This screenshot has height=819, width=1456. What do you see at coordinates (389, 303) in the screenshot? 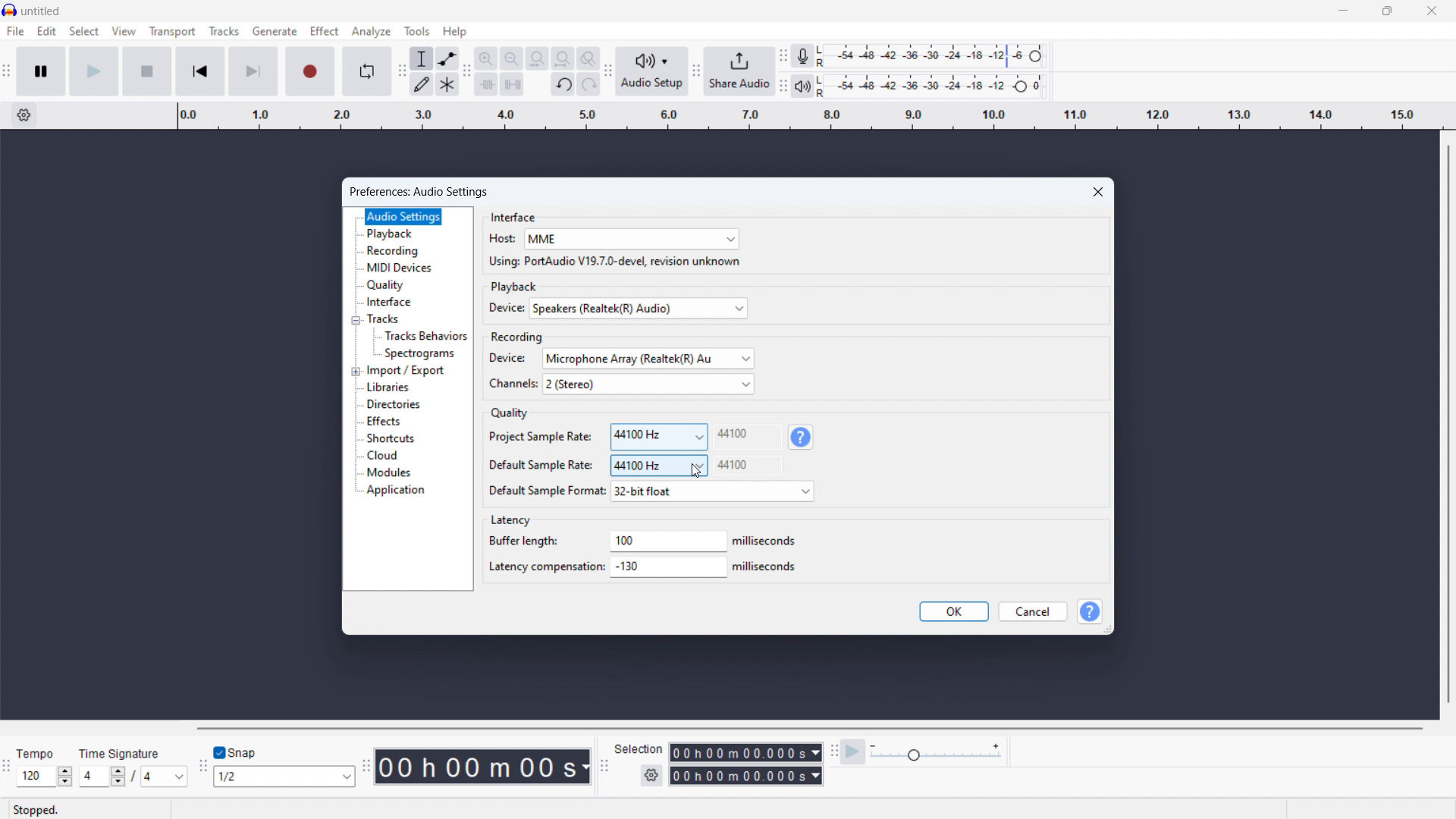
I see `interface` at bounding box center [389, 303].